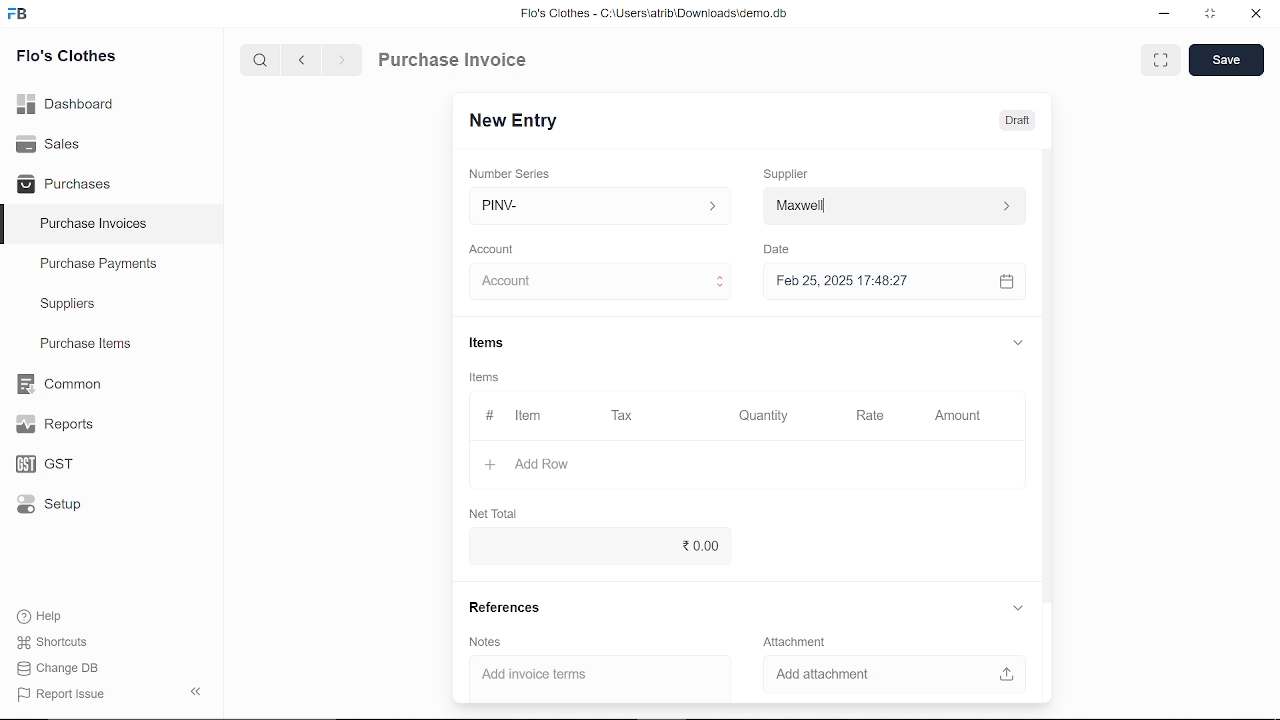 The image size is (1280, 720). Describe the element at coordinates (112, 268) in the screenshot. I see `Purchase Payments` at that location.